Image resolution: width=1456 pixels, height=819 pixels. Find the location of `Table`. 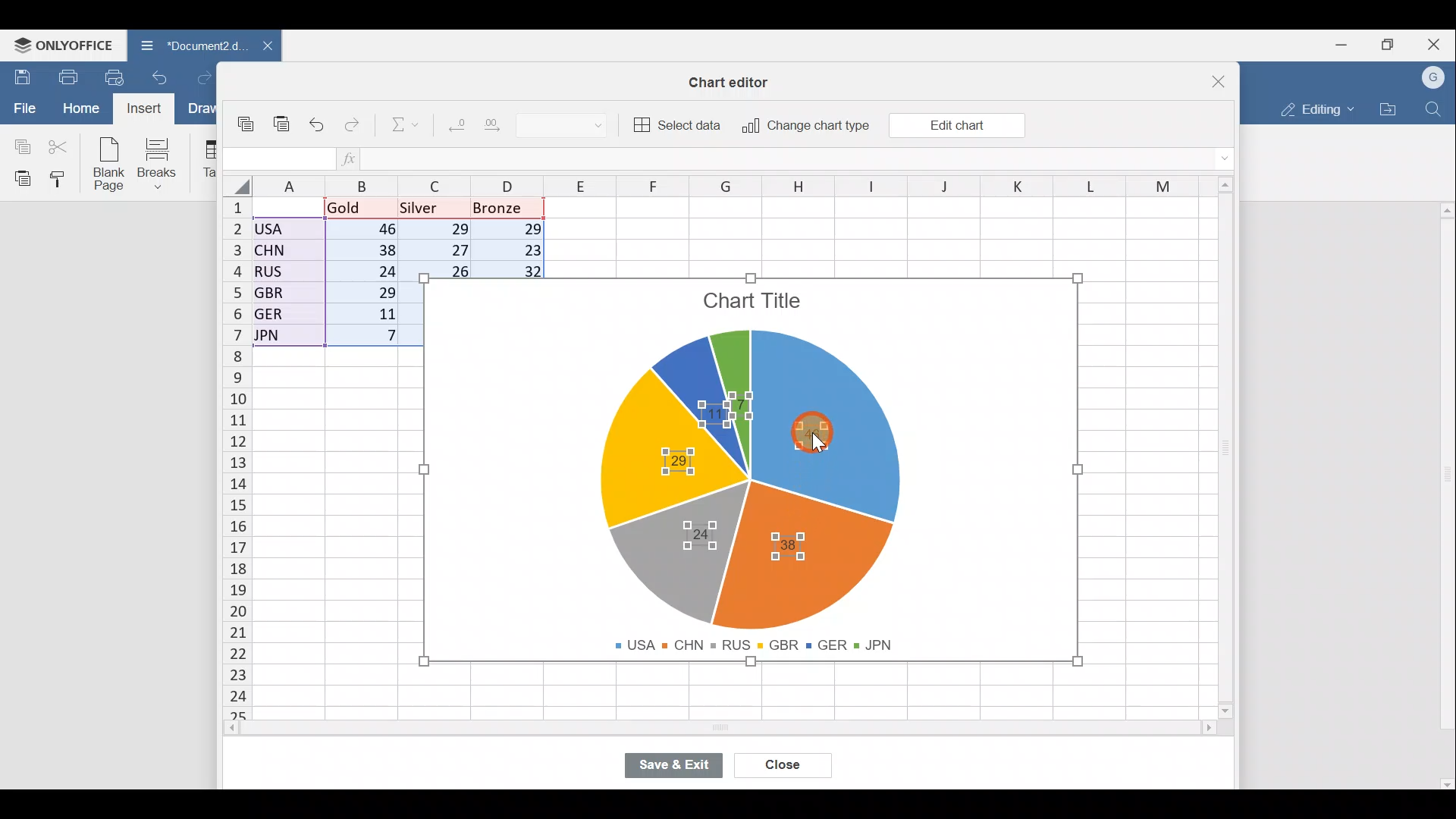

Table is located at coordinates (205, 159).